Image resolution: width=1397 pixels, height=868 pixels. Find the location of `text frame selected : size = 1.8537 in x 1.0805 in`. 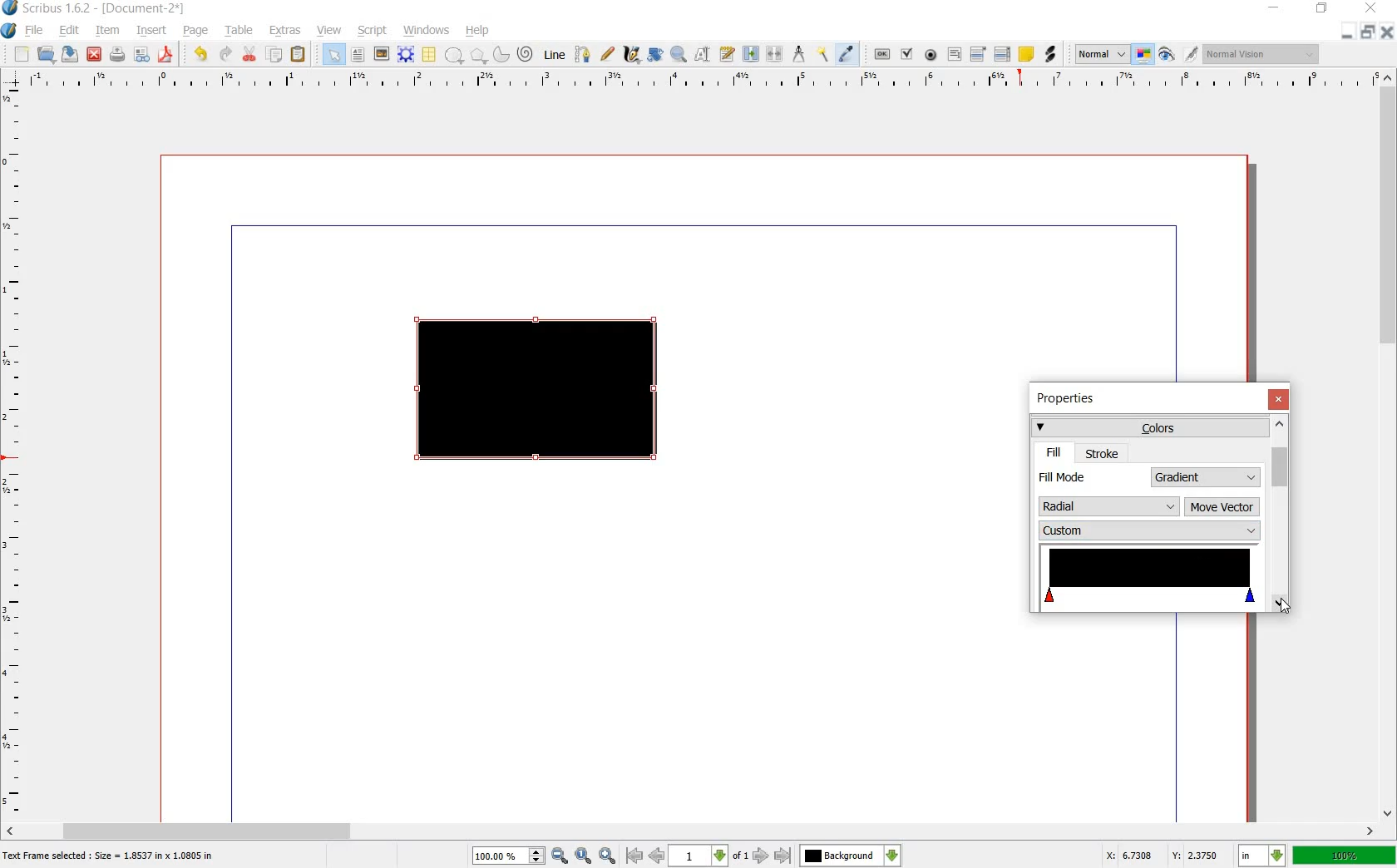

text frame selected : size = 1.8537 in x 1.0805 in is located at coordinates (111, 857).